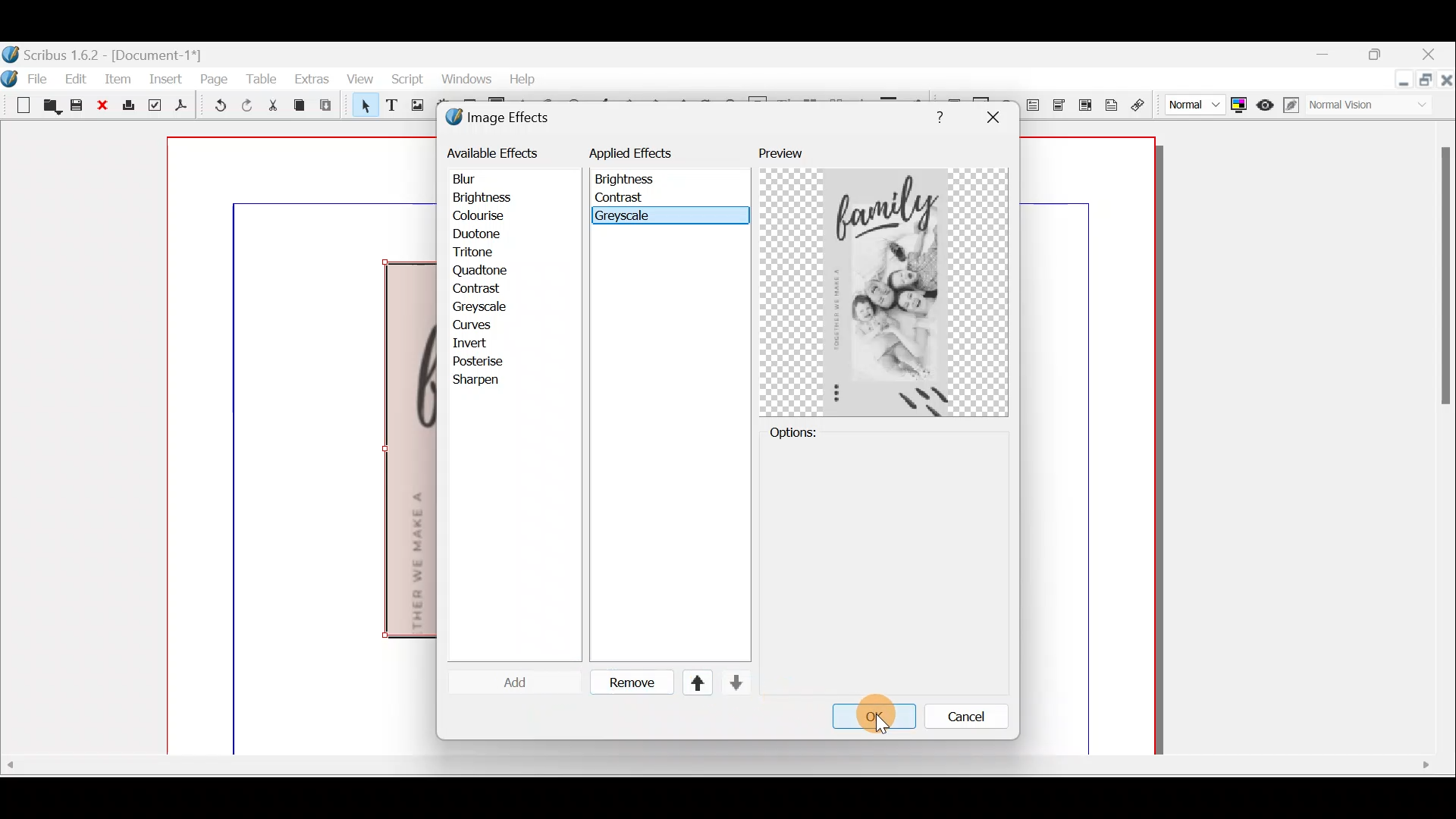 The image size is (1456, 819). I want to click on invert, so click(479, 344).